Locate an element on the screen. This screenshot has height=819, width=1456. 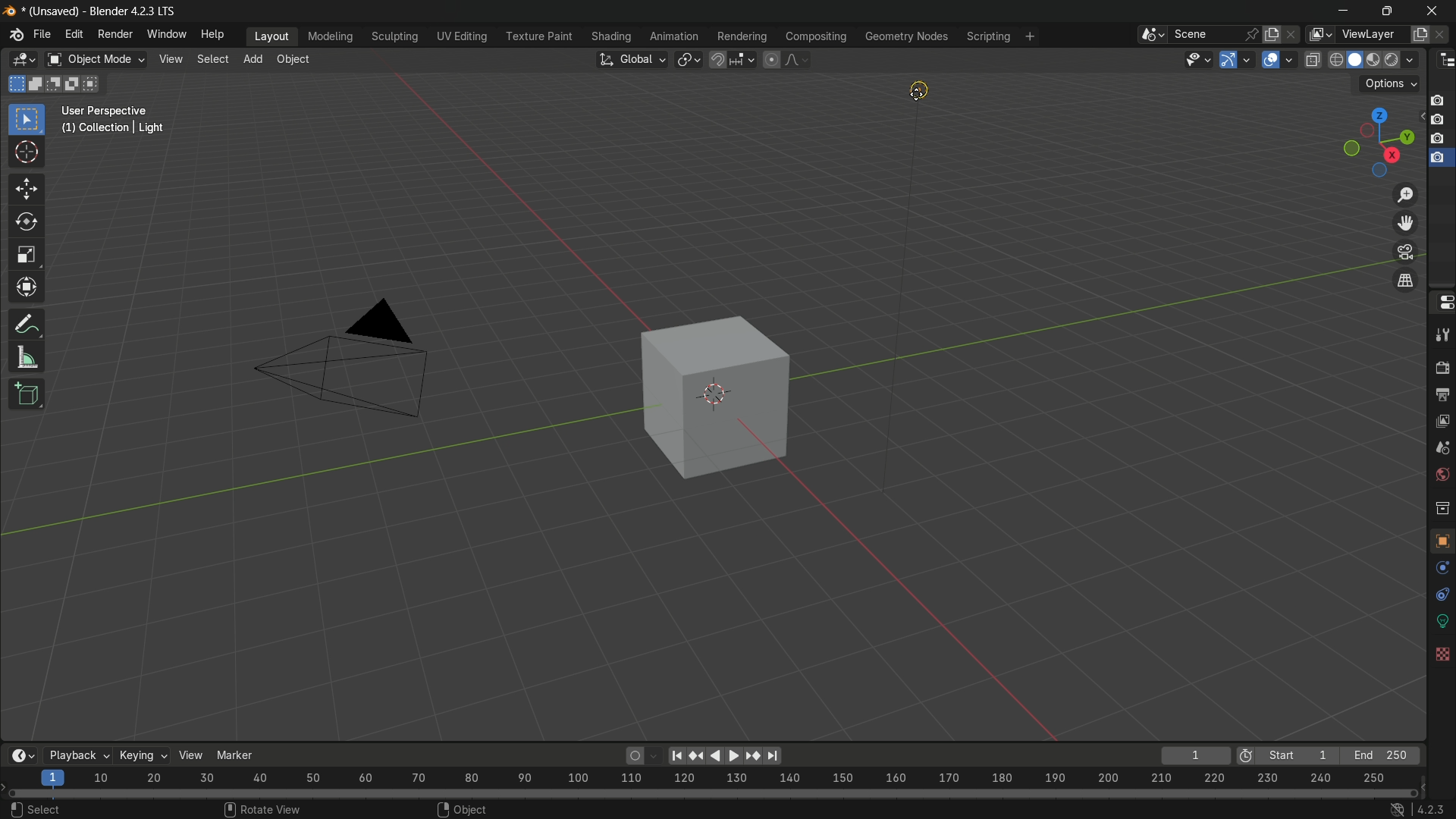
show overlays is located at coordinates (1269, 59).